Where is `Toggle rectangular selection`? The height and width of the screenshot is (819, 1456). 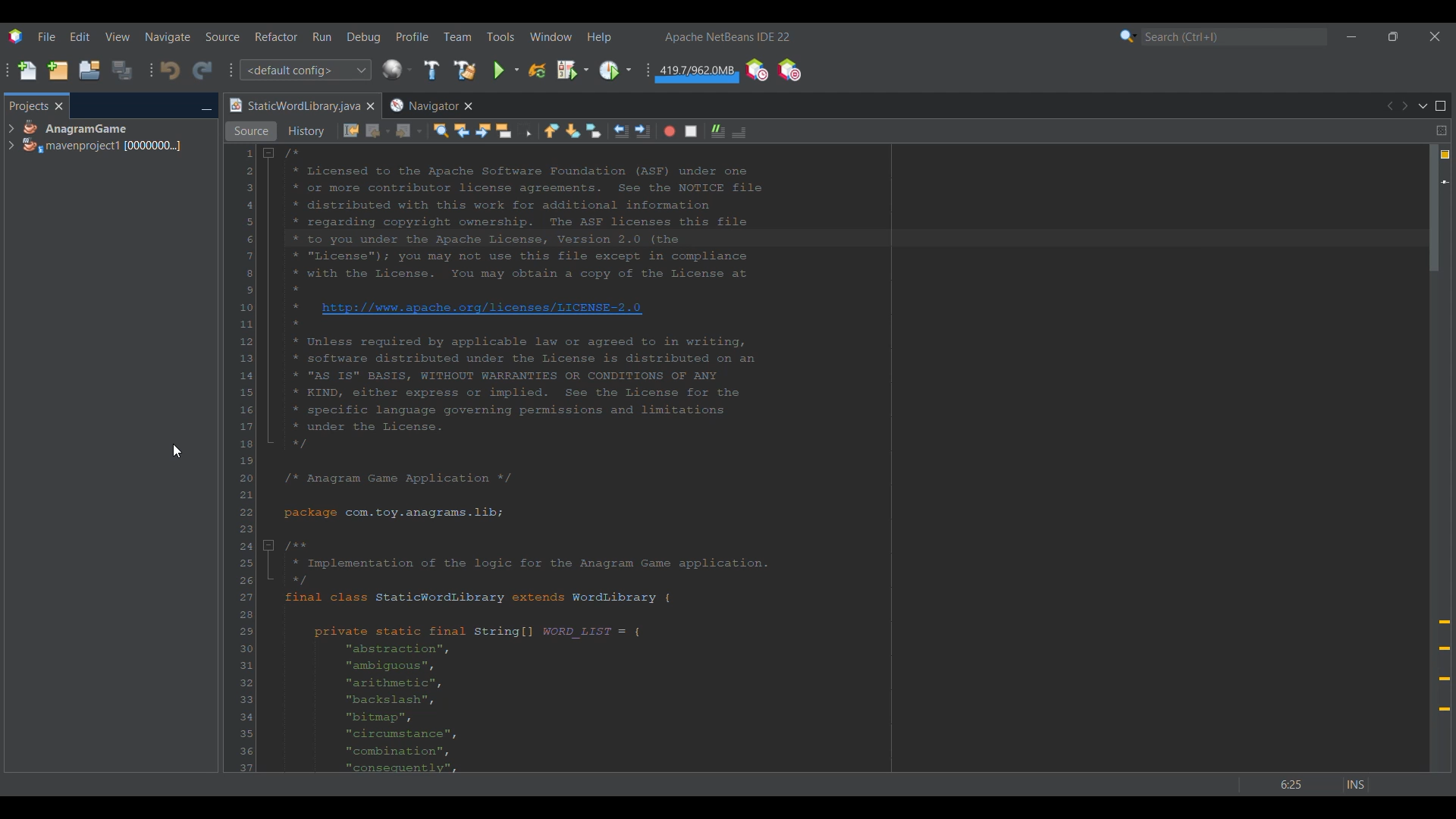
Toggle rectangular selection is located at coordinates (525, 130).